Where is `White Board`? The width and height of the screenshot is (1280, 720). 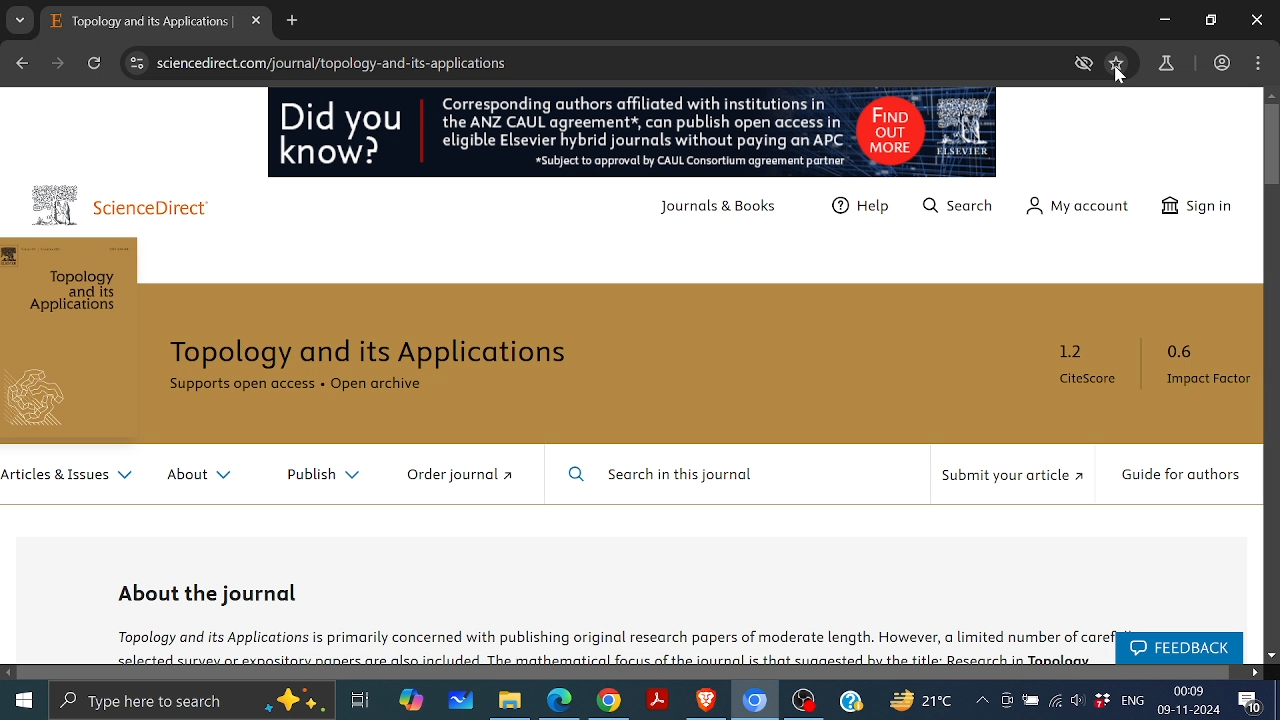 White Board is located at coordinates (460, 699).